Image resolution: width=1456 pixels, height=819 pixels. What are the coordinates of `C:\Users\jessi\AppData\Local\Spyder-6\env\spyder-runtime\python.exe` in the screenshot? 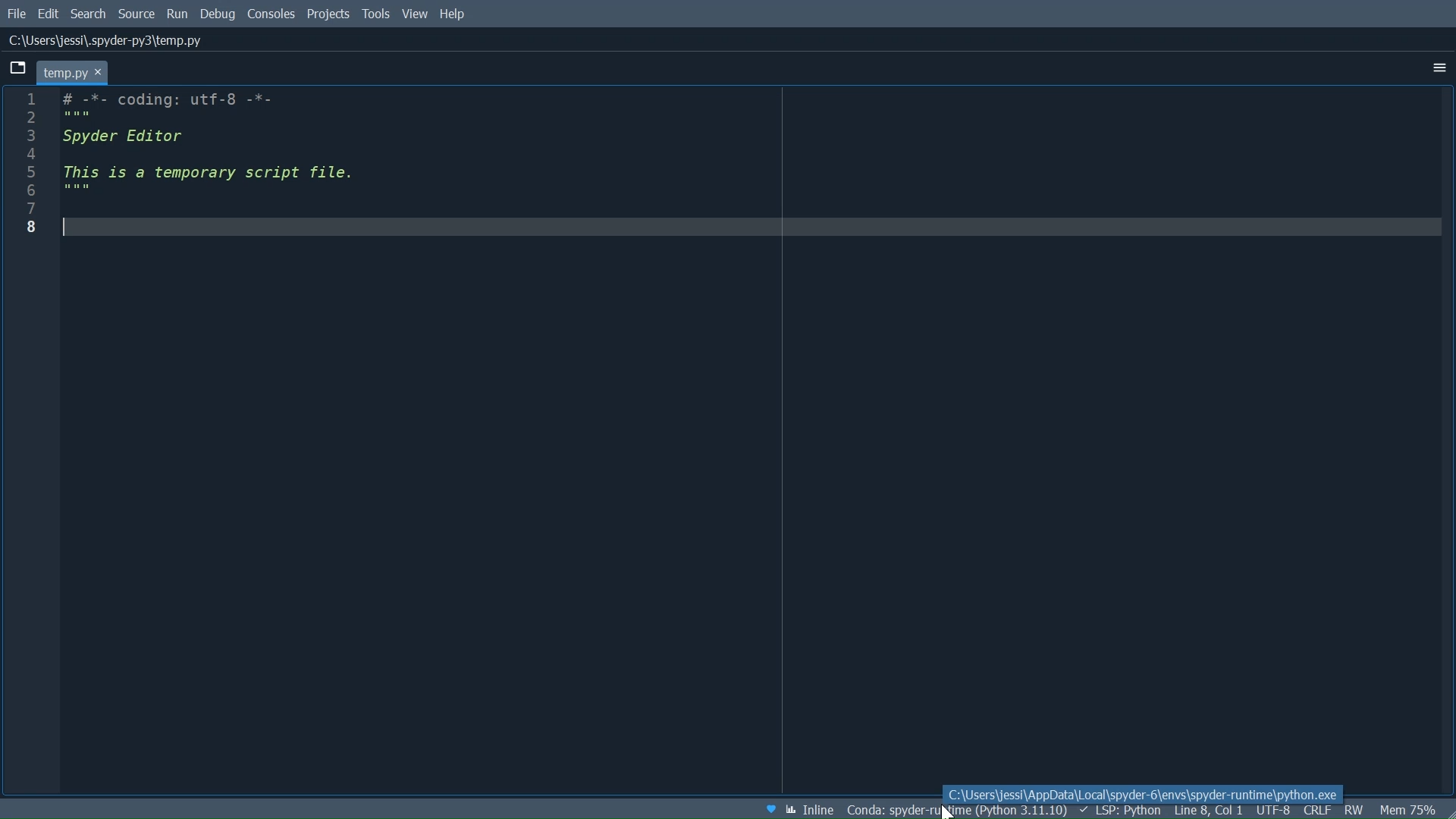 It's located at (1142, 791).